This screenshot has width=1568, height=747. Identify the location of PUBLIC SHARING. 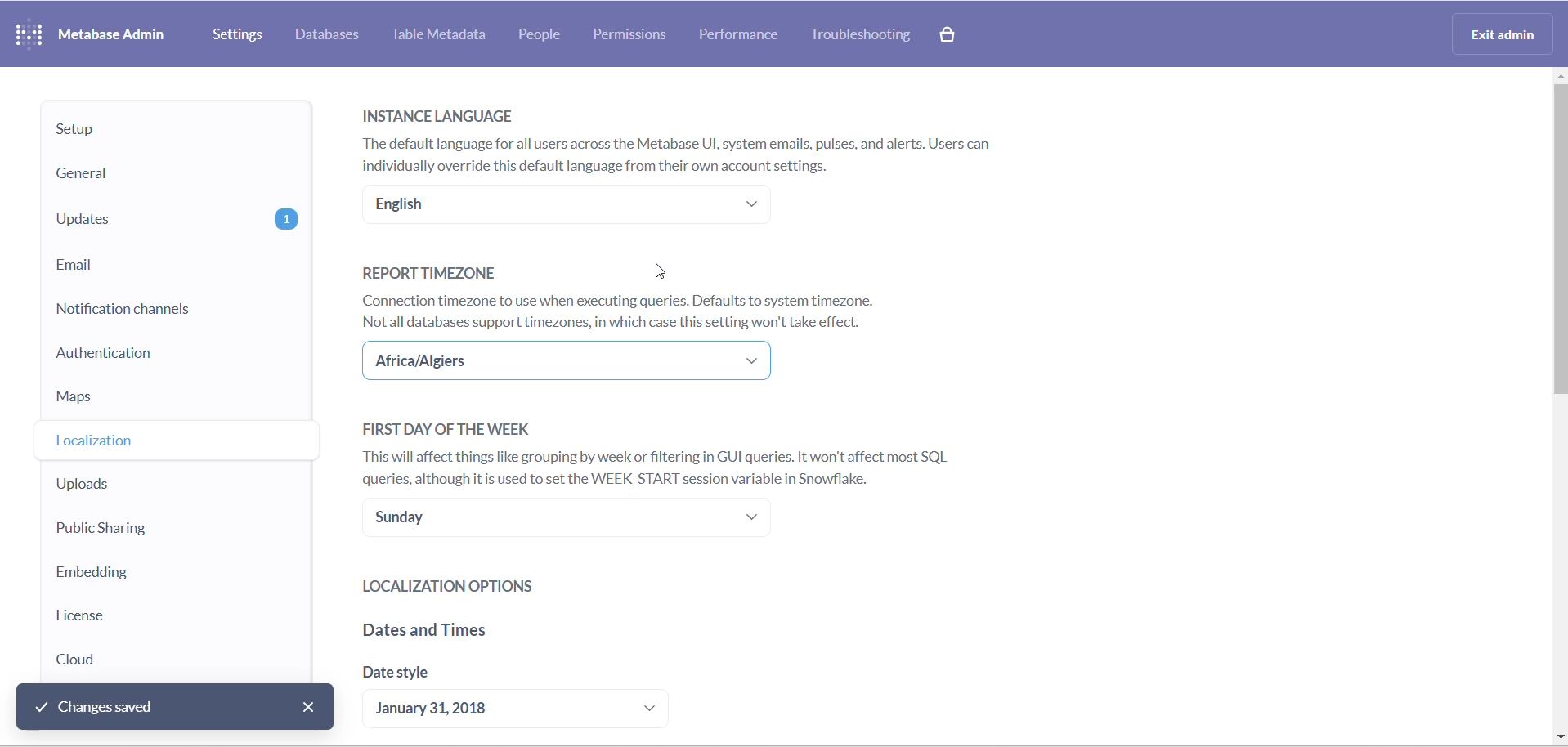
(154, 530).